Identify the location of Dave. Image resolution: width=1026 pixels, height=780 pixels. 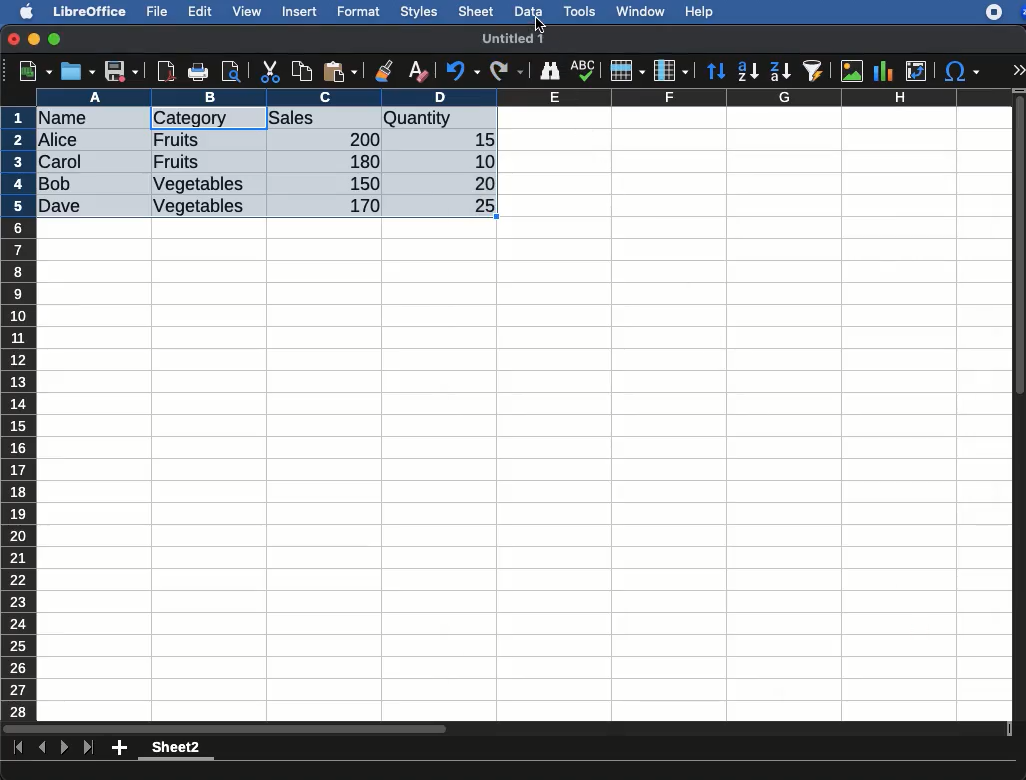
(64, 207).